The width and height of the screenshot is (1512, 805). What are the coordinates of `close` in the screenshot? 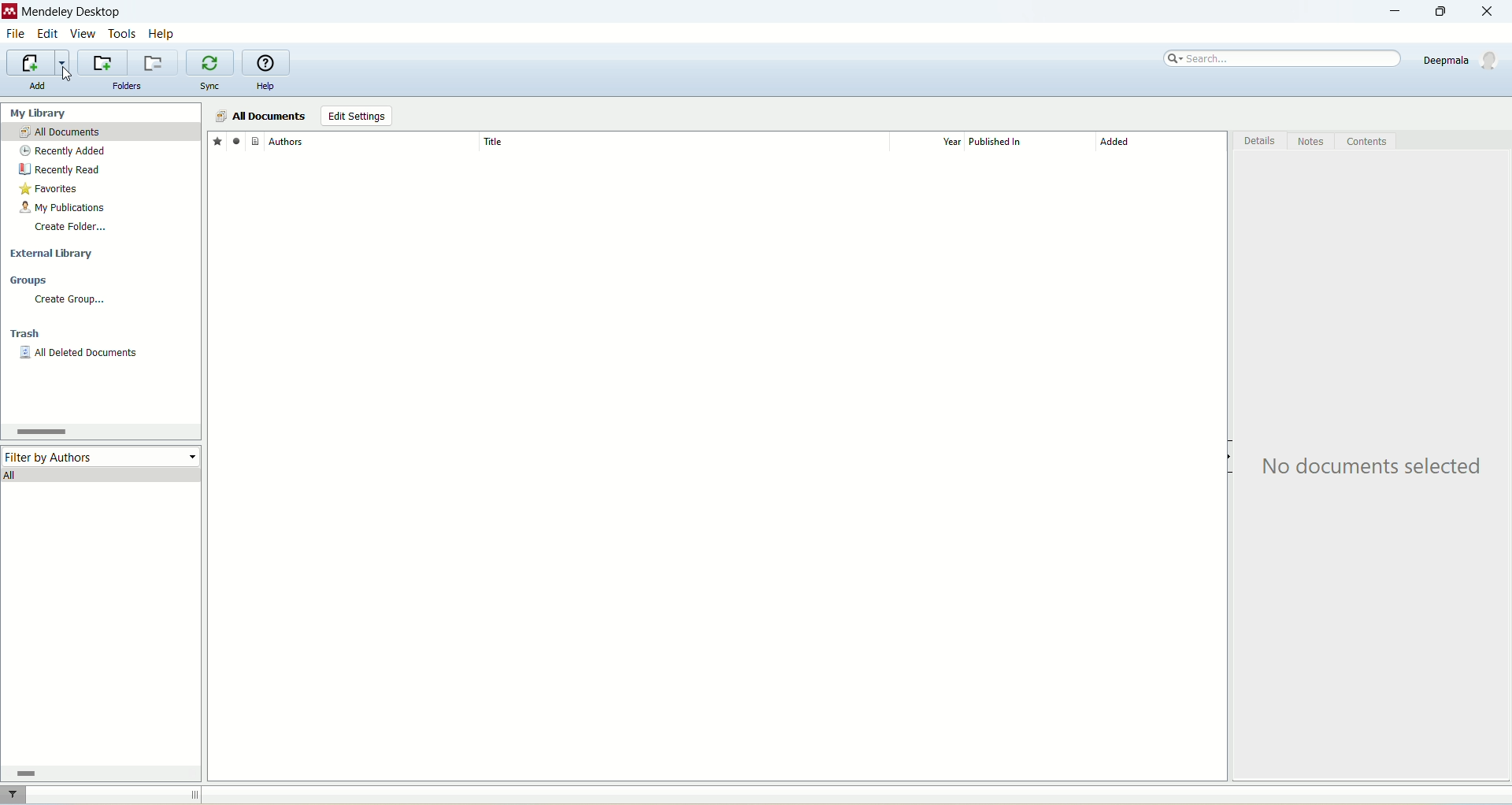 It's located at (1494, 12).